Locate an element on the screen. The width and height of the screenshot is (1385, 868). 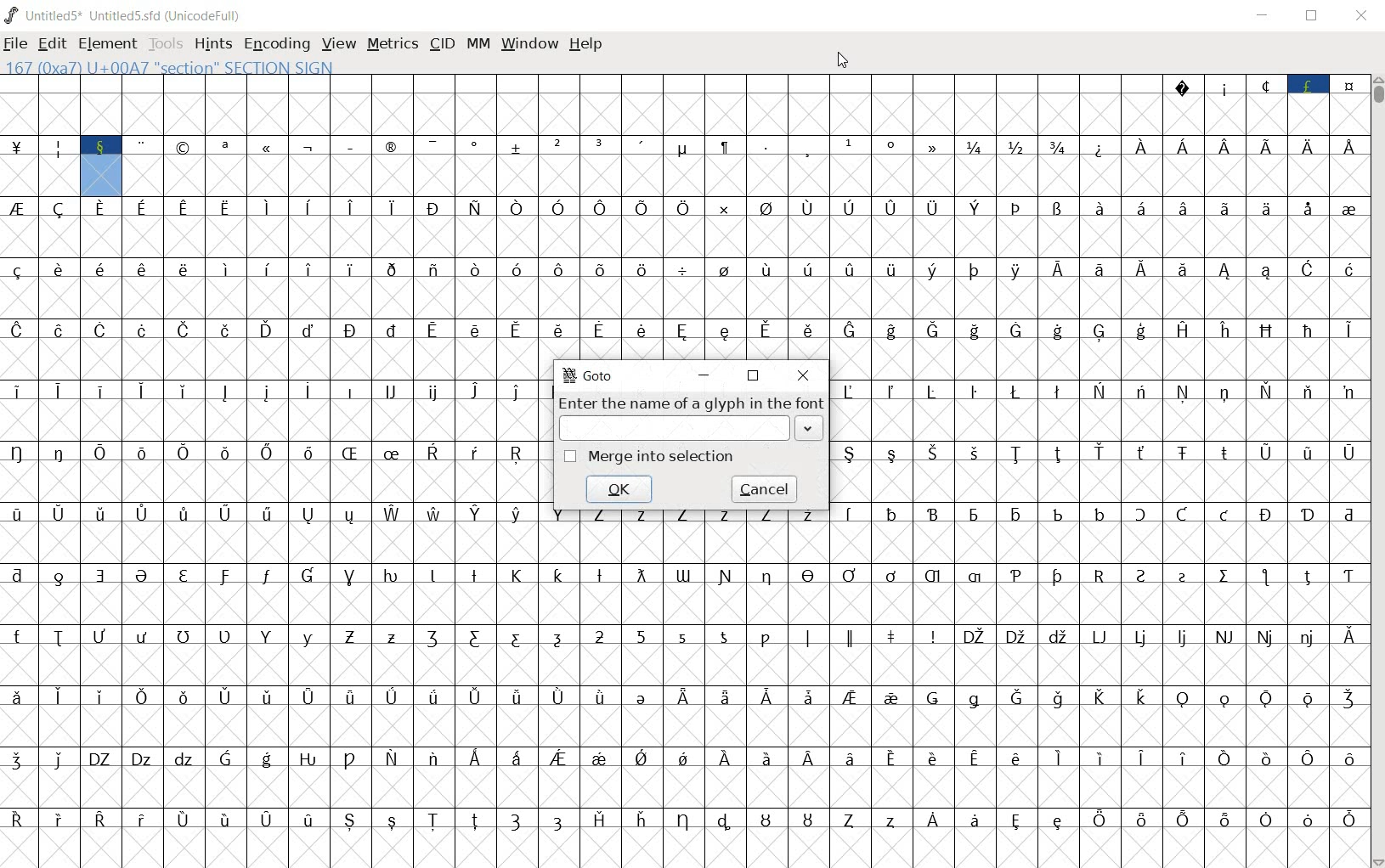
Latin extended characters is located at coordinates (1243, 167).